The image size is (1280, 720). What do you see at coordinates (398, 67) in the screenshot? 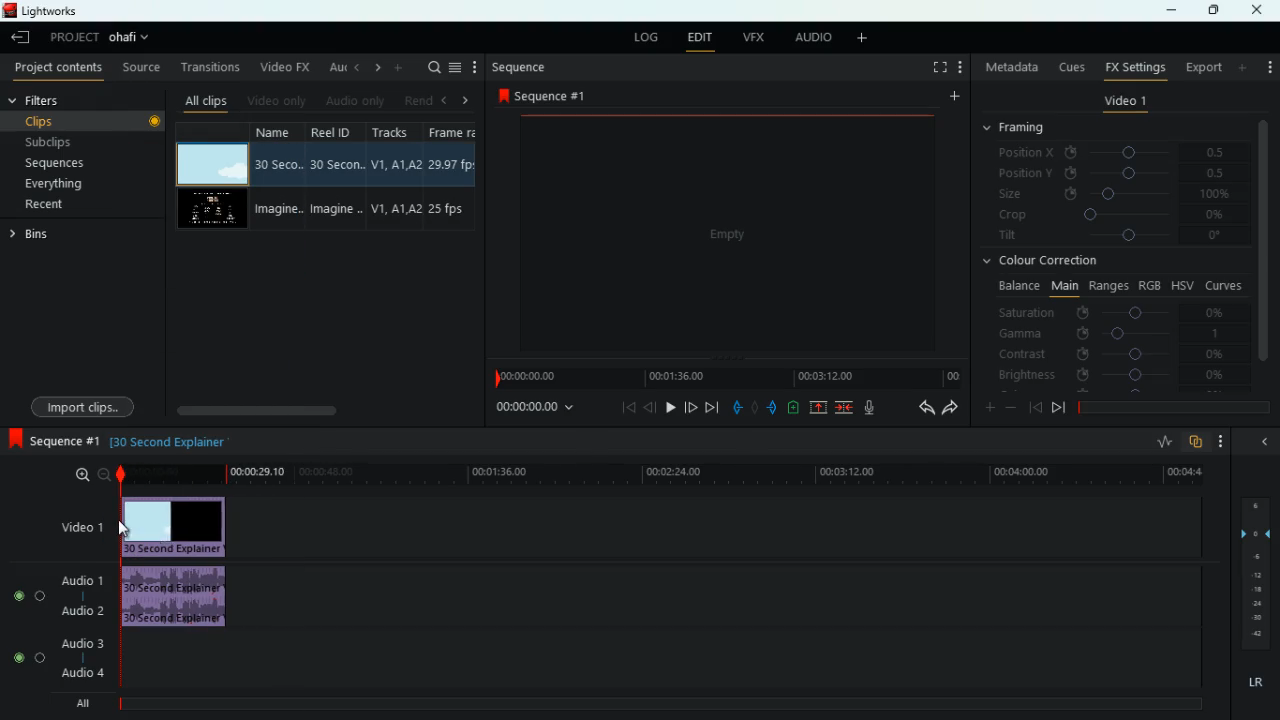
I see `more` at bounding box center [398, 67].